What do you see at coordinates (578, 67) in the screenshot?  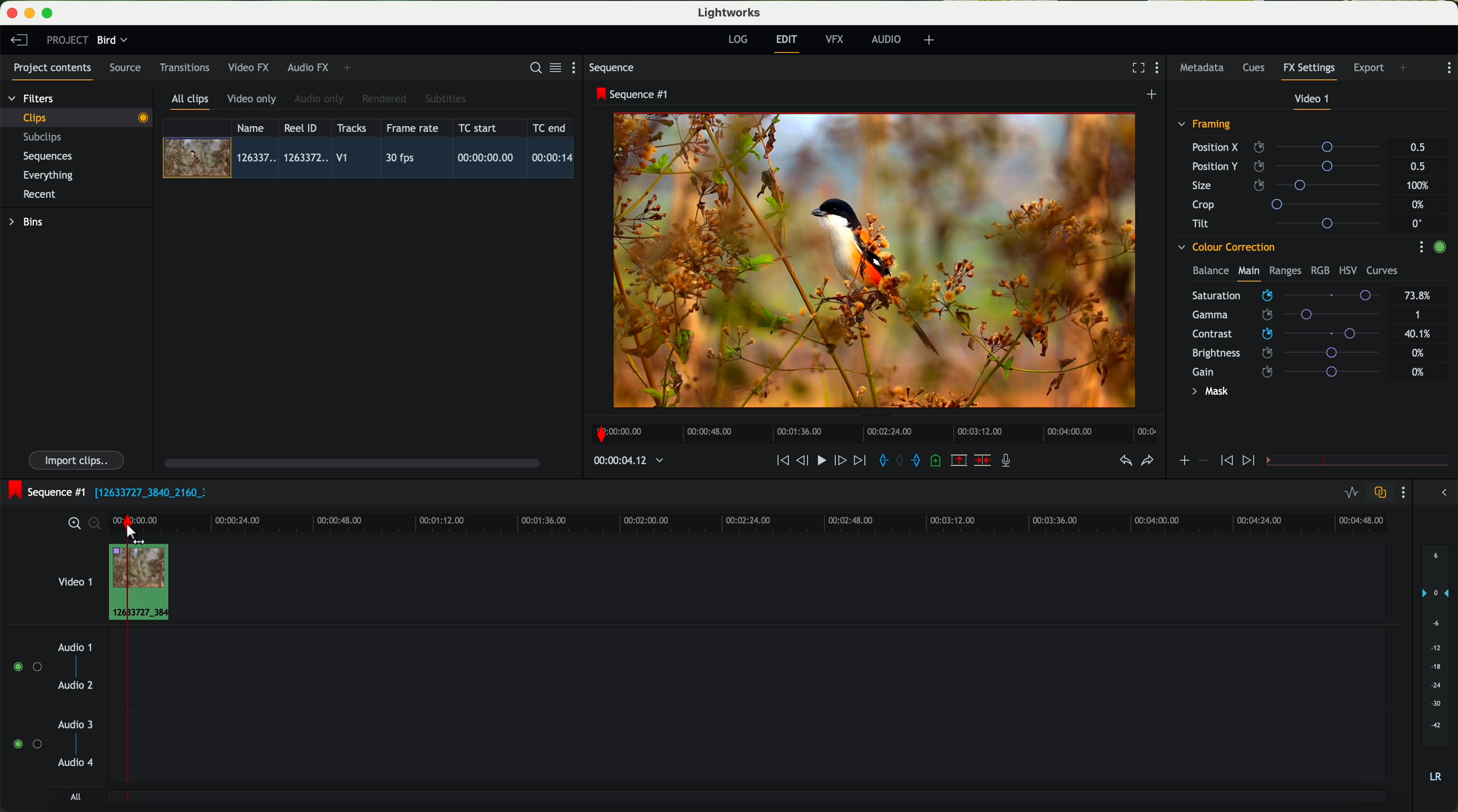 I see `show settings menu` at bounding box center [578, 67].